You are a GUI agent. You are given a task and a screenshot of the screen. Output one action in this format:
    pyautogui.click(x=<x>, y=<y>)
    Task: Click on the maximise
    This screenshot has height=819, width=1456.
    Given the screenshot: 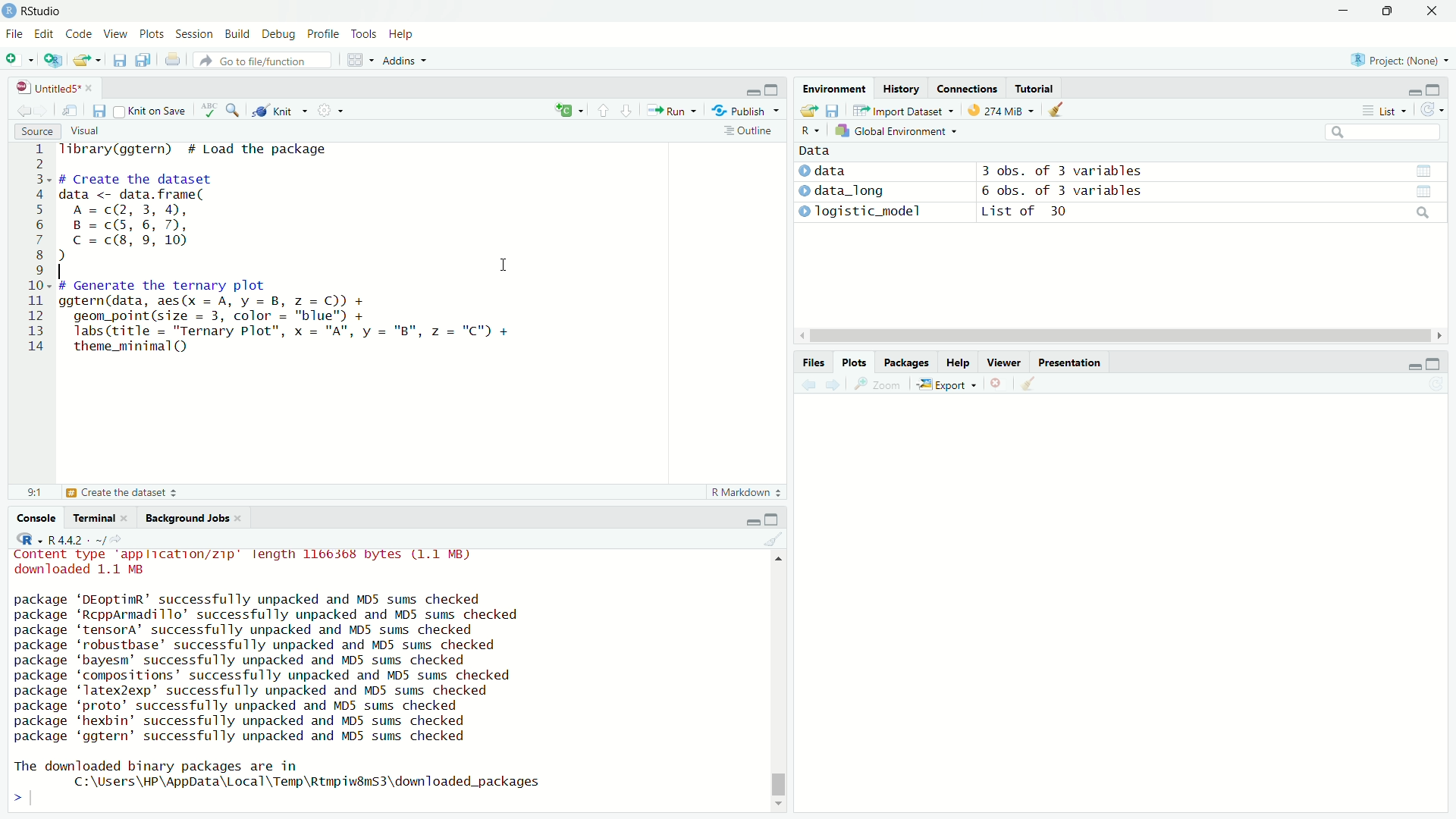 What is the action you would take?
    pyautogui.click(x=775, y=519)
    